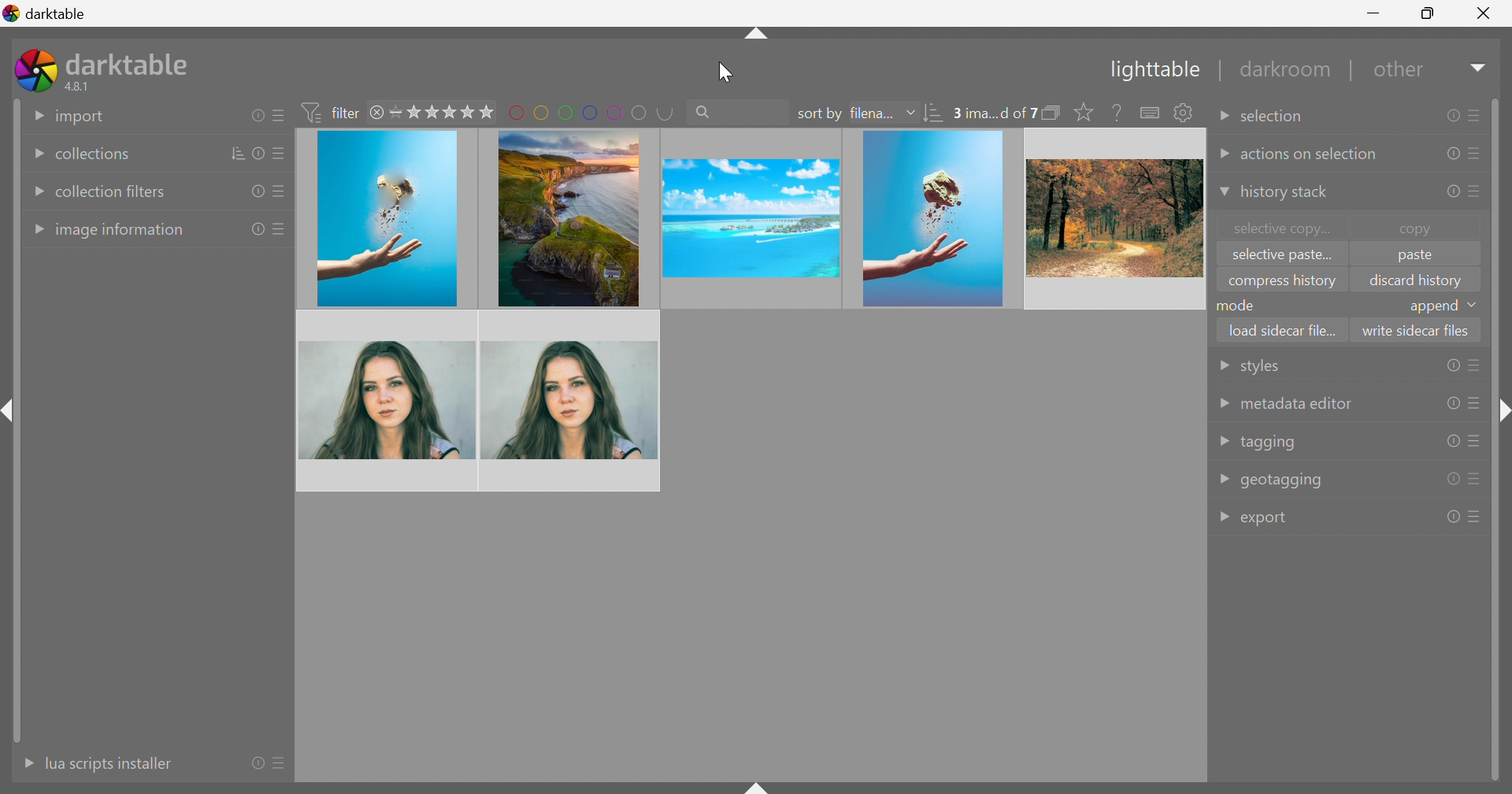  What do you see at coordinates (1453, 517) in the screenshot?
I see `reset` at bounding box center [1453, 517].